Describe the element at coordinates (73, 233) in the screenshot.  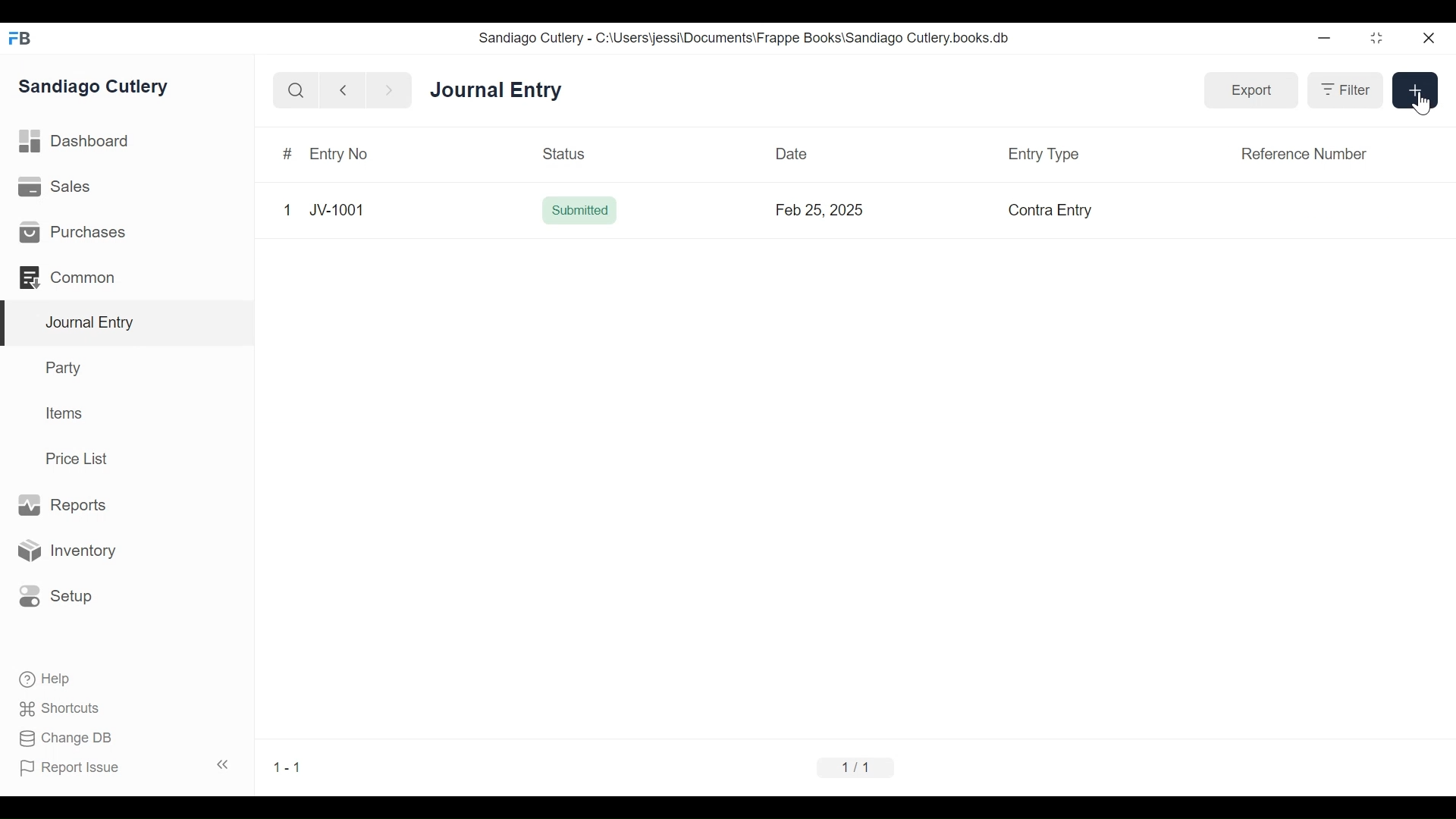
I see `Purchases` at that location.